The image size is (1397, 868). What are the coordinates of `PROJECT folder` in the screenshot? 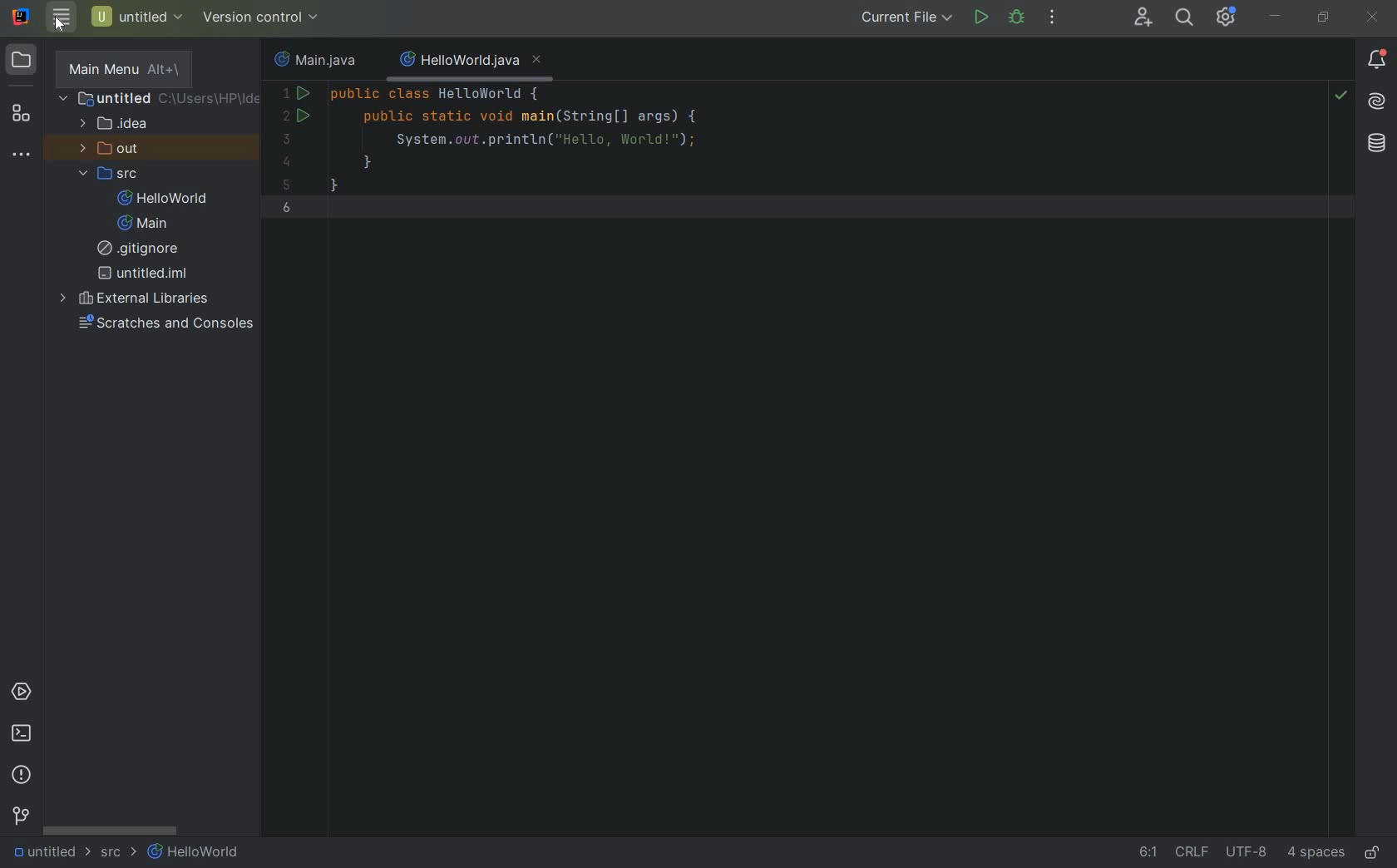 It's located at (22, 62).